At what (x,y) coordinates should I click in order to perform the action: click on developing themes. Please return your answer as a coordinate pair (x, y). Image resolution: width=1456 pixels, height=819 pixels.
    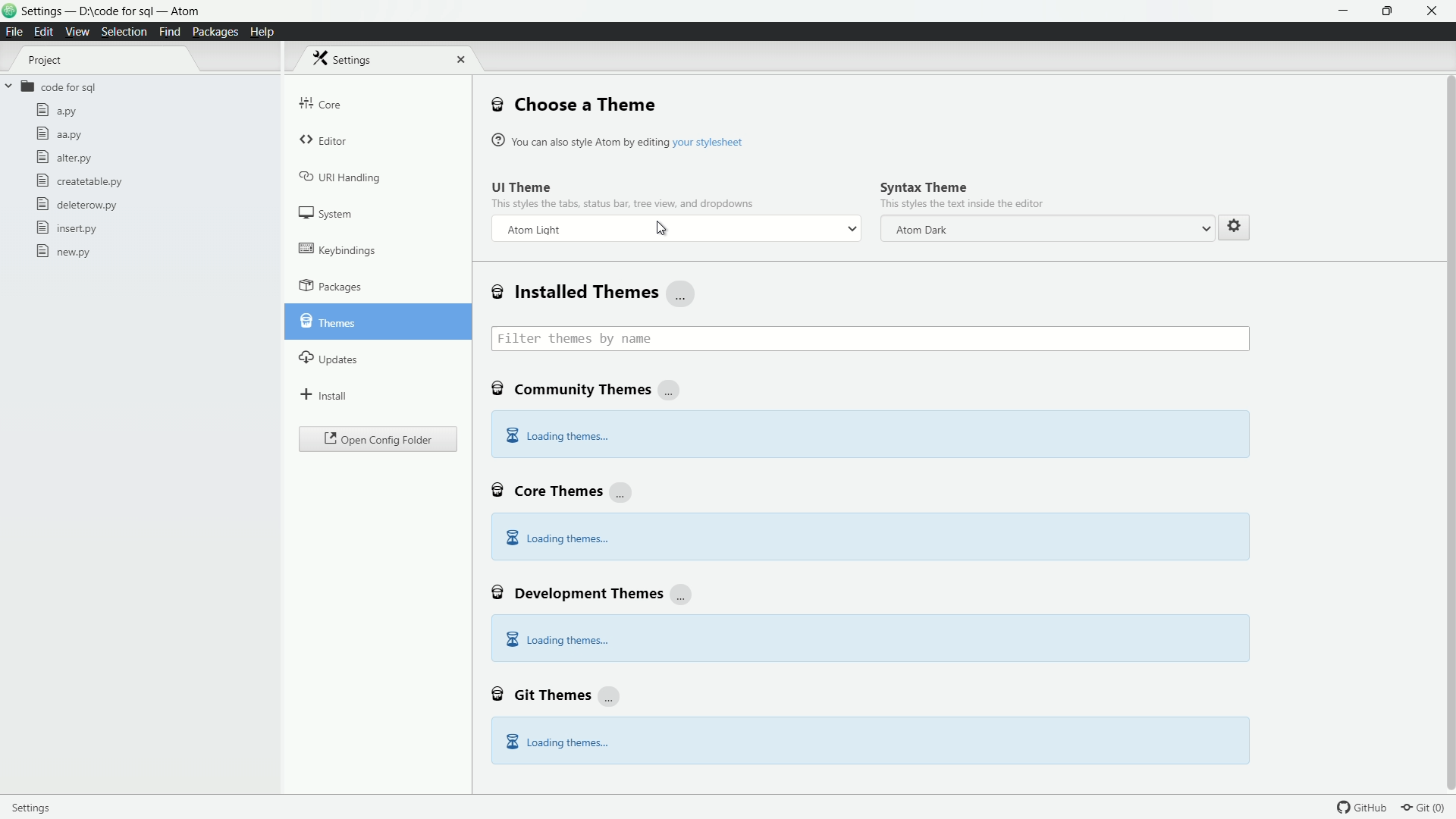
    Looking at the image, I should click on (594, 591).